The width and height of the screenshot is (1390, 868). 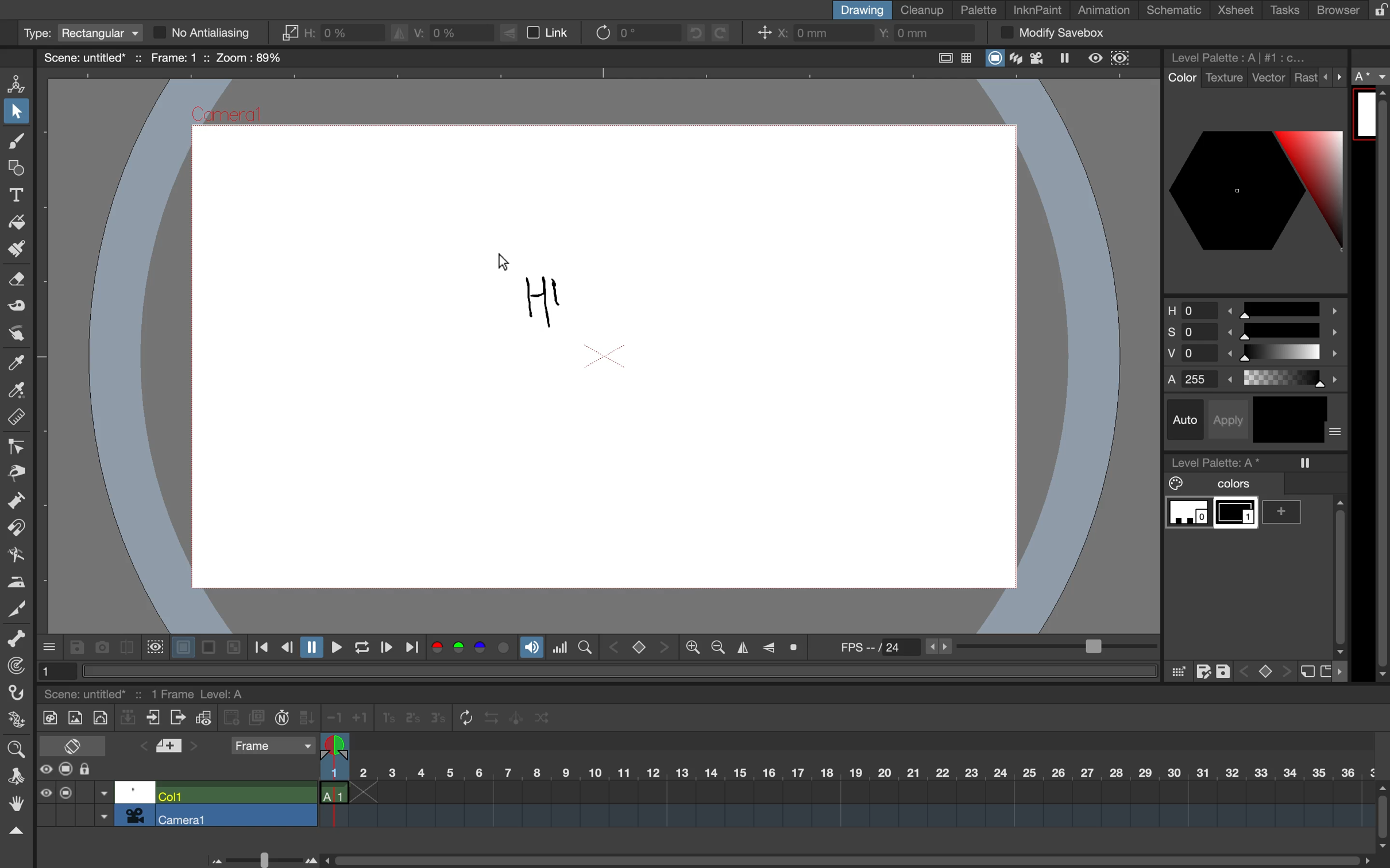 I want to click on black background, so click(x=208, y=648).